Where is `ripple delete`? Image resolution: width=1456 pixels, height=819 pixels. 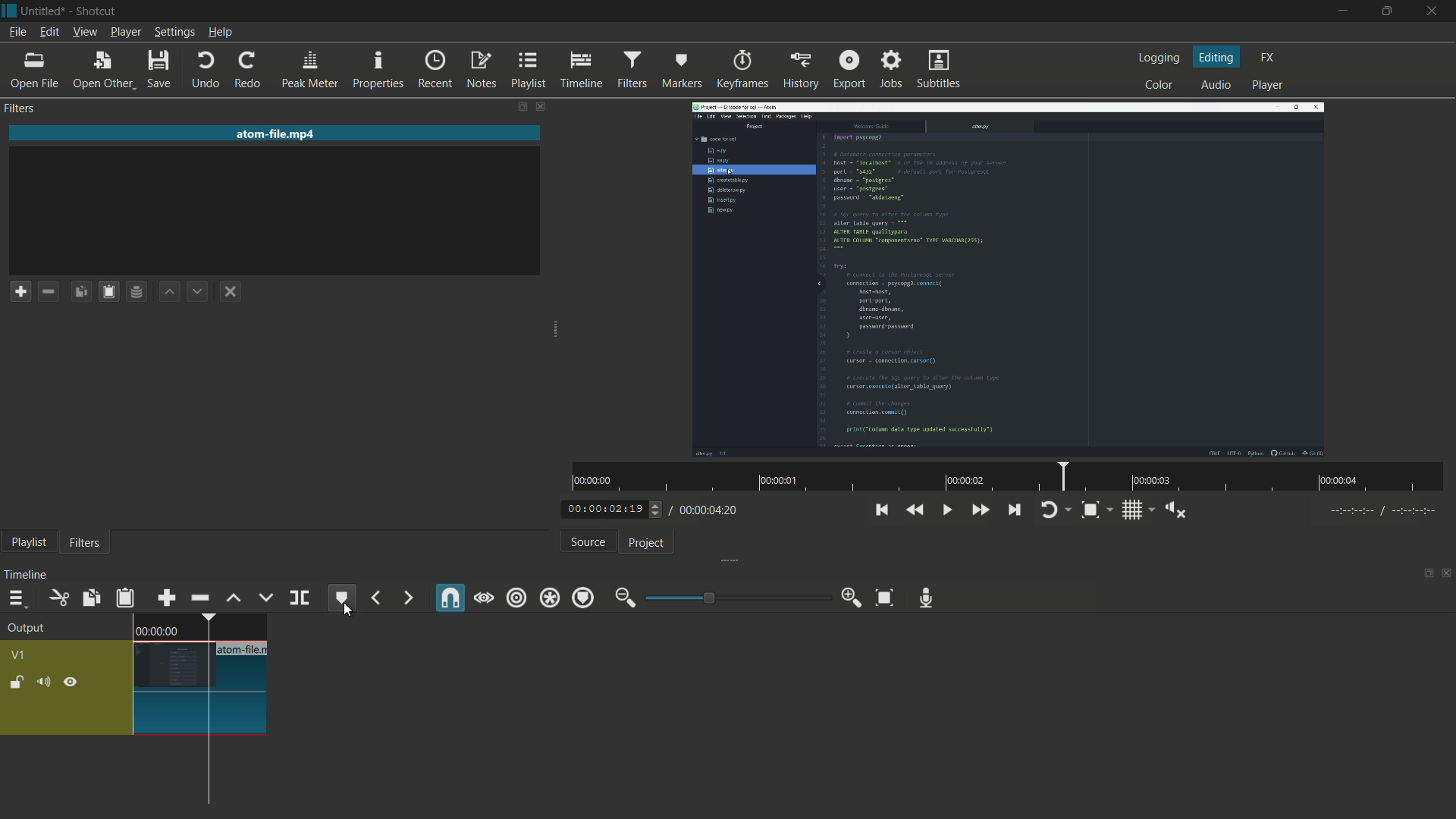 ripple delete is located at coordinates (199, 599).